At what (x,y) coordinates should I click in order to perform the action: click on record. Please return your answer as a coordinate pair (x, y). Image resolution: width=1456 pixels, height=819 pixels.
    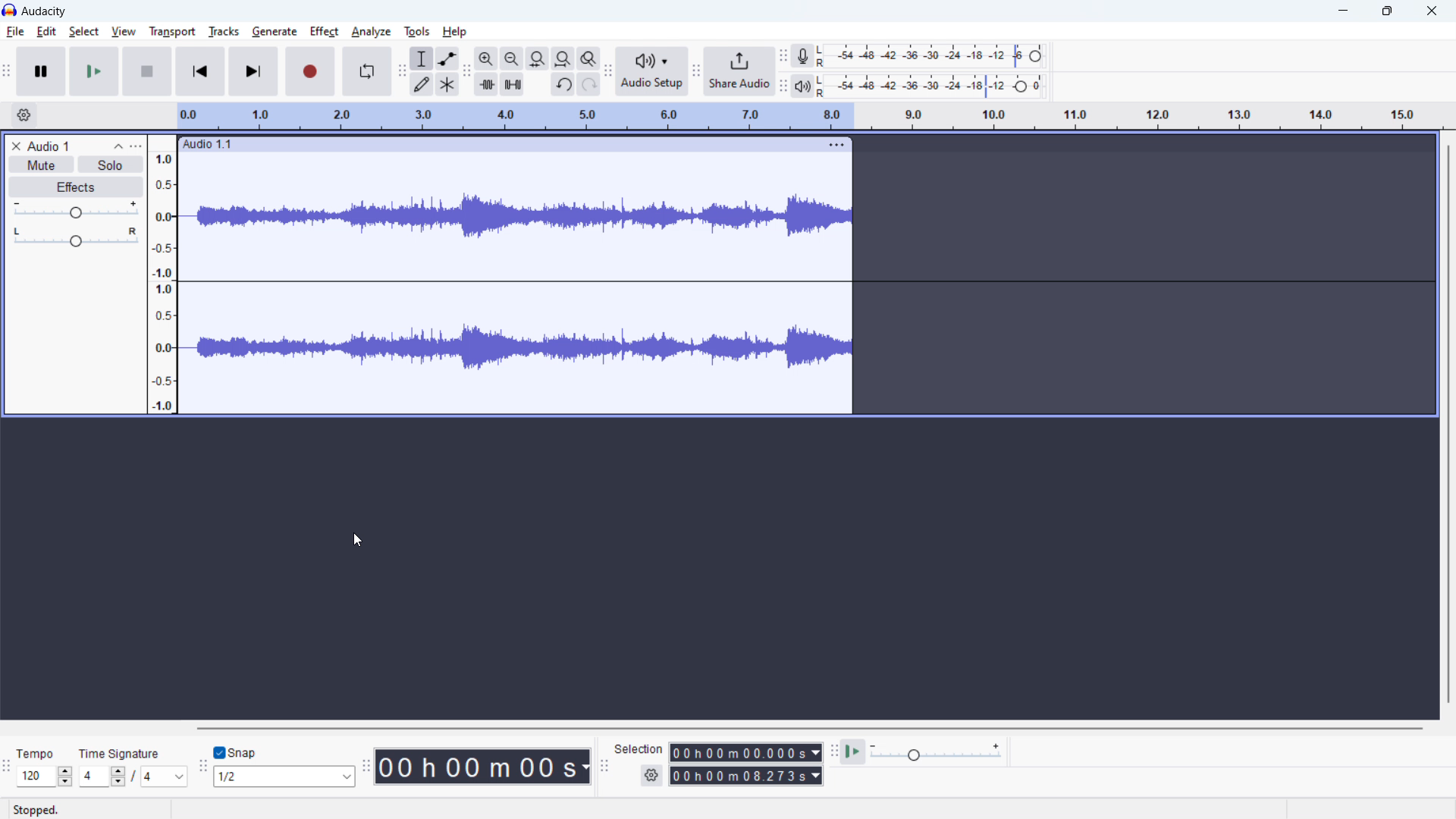
    Looking at the image, I should click on (310, 71).